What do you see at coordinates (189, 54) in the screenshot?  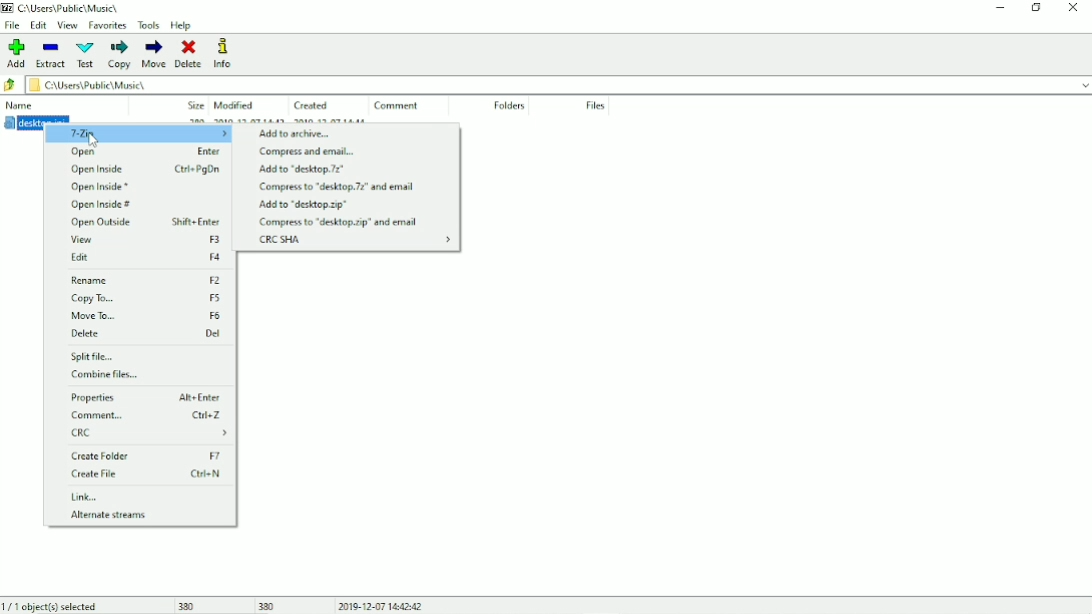 I see `Delete` at bounding box center [189, 54].